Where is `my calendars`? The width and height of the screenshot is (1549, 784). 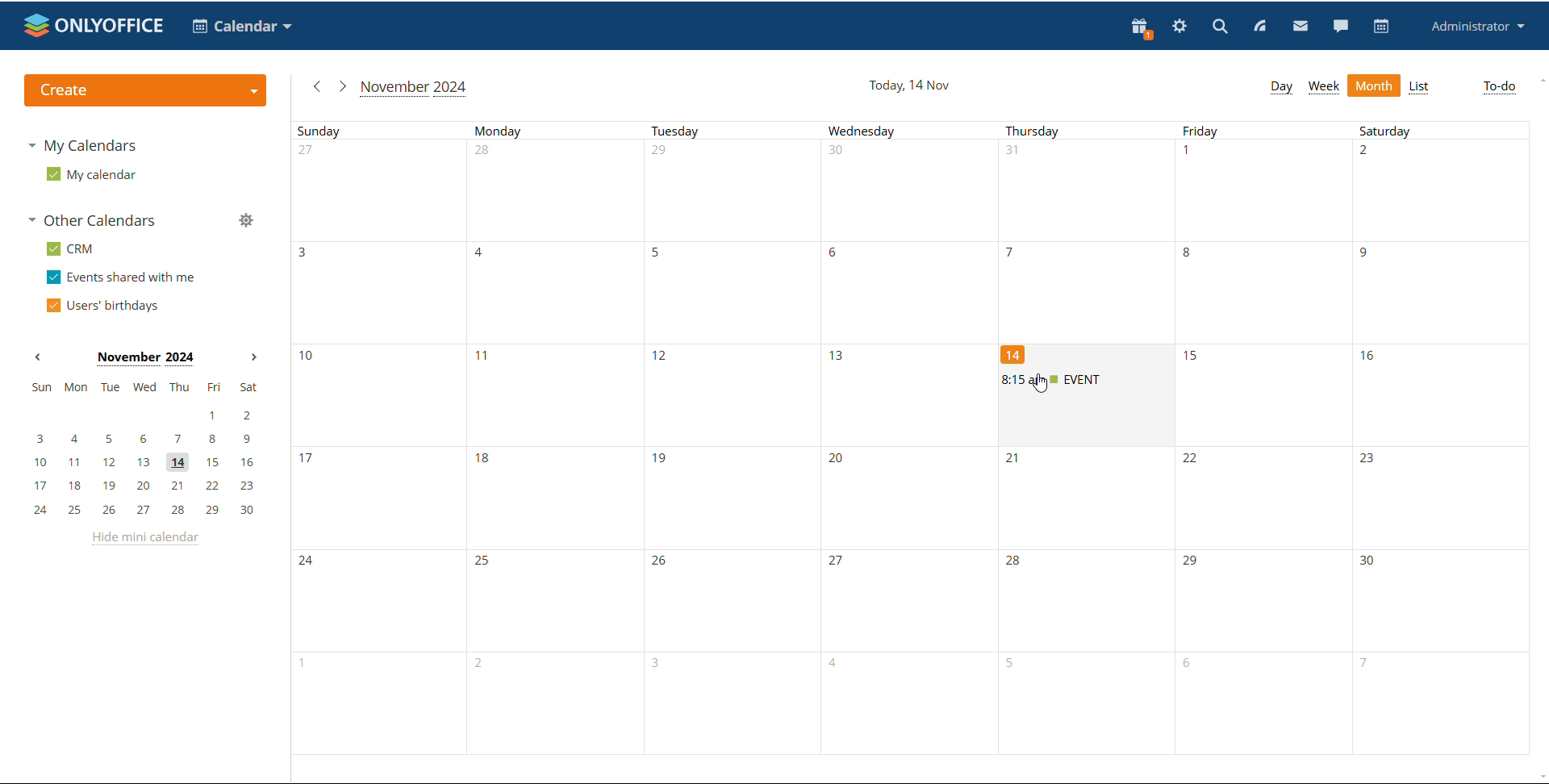
my calendars is located at coordinates (81, 147).